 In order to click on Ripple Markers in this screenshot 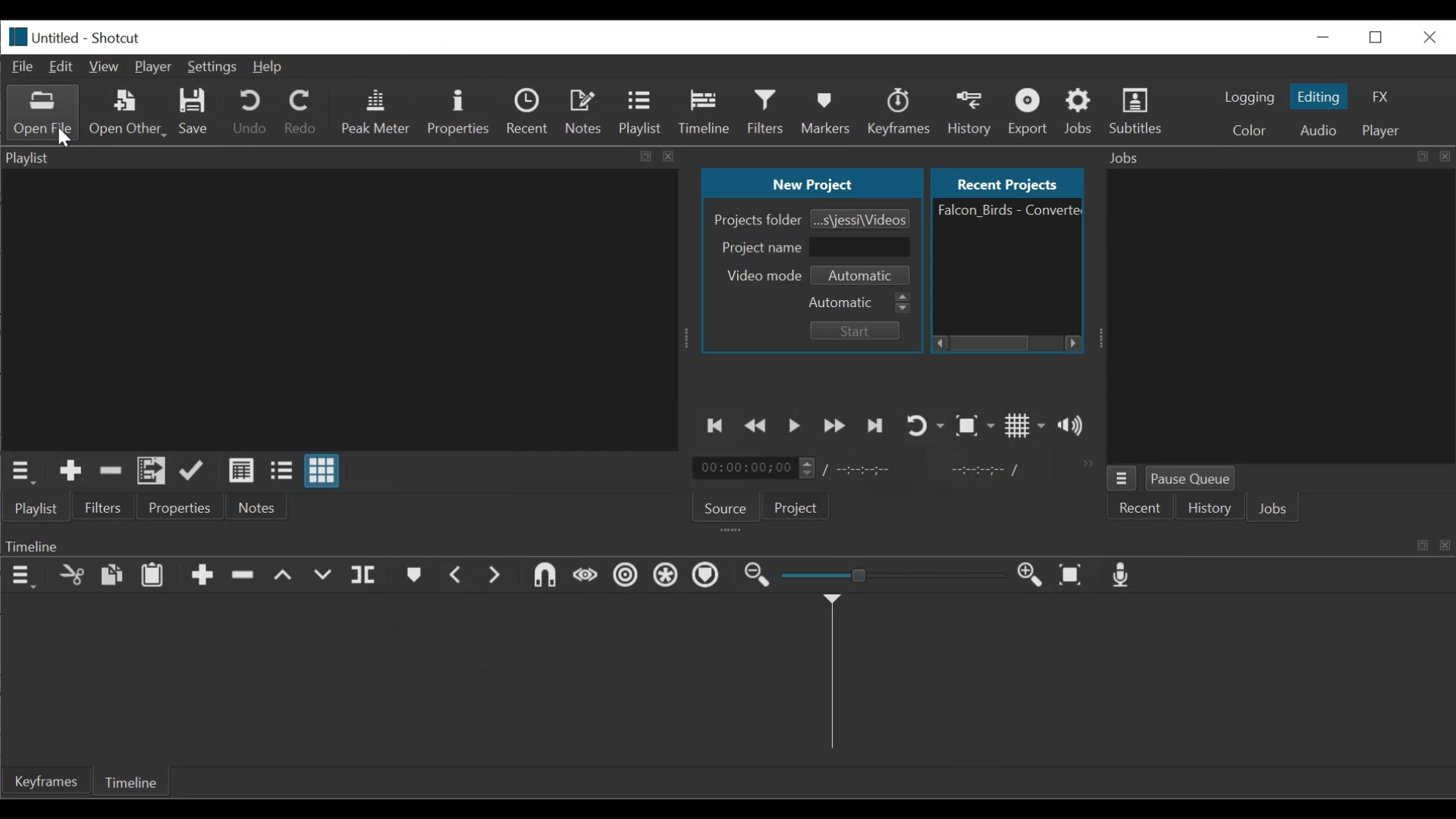, I will do `click(709, 578)`.